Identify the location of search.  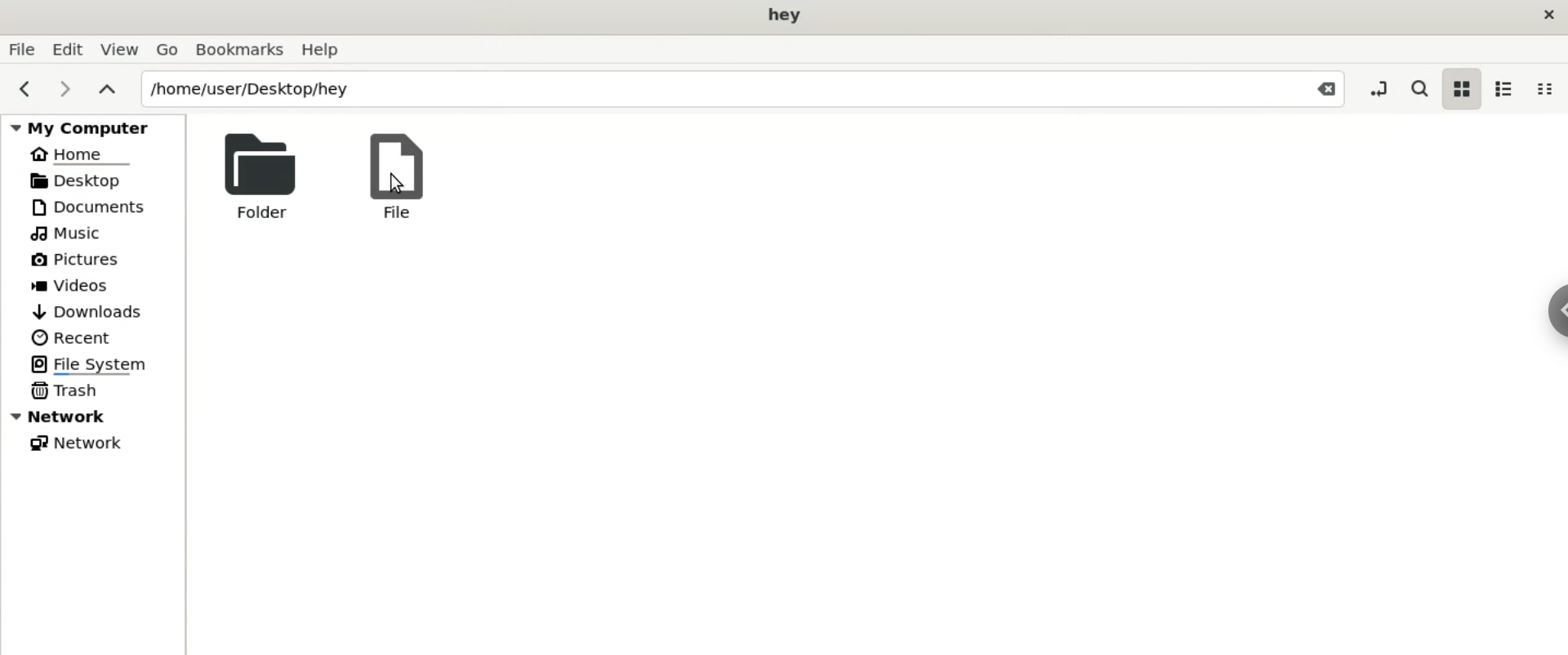
(1418, 90).